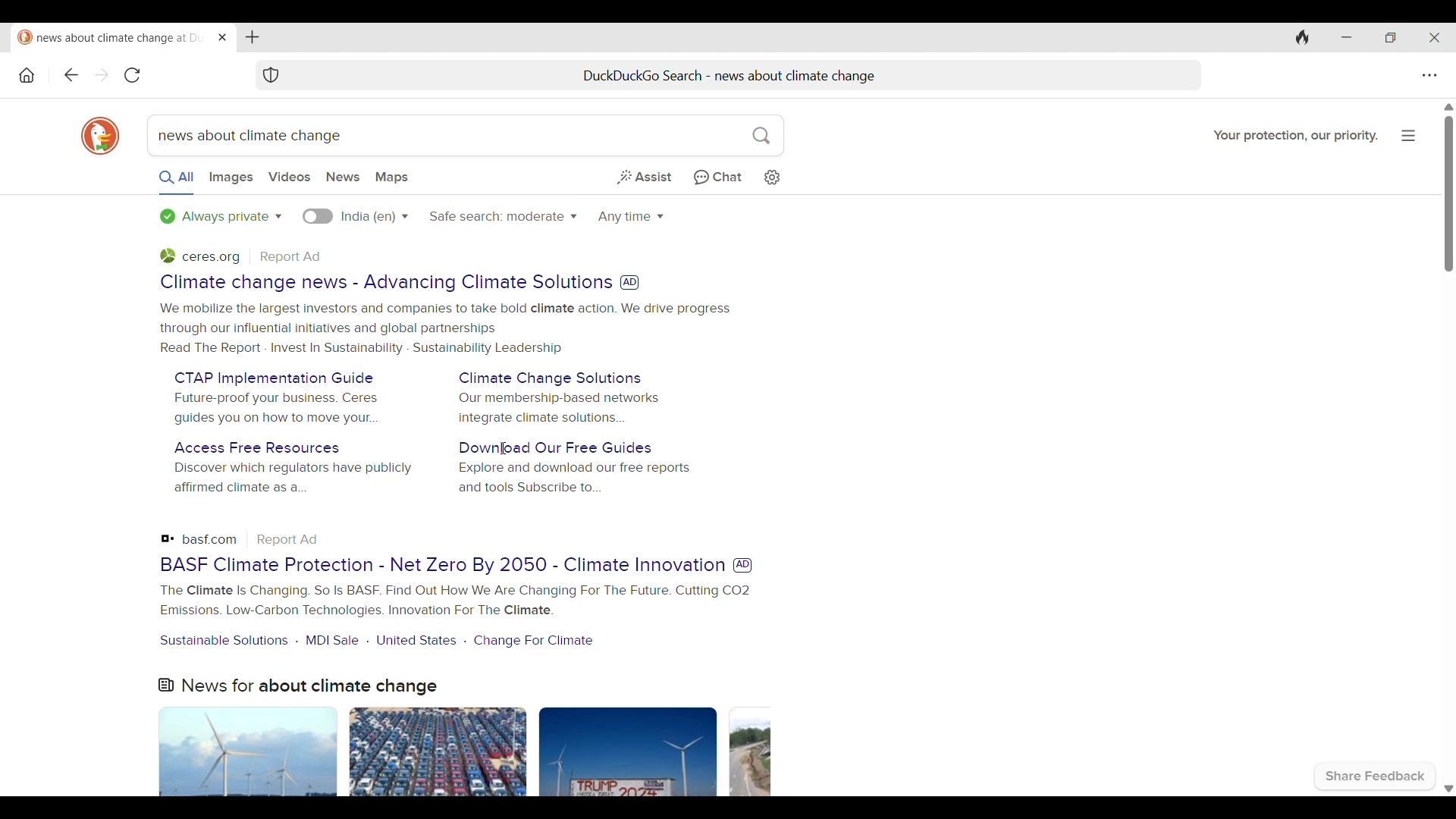 The image size is (1456, 819). What do you see at coordinates (100, 136) in the screenshot?
I see `DuckDuckGo logo` at bounding box center [100, 136].